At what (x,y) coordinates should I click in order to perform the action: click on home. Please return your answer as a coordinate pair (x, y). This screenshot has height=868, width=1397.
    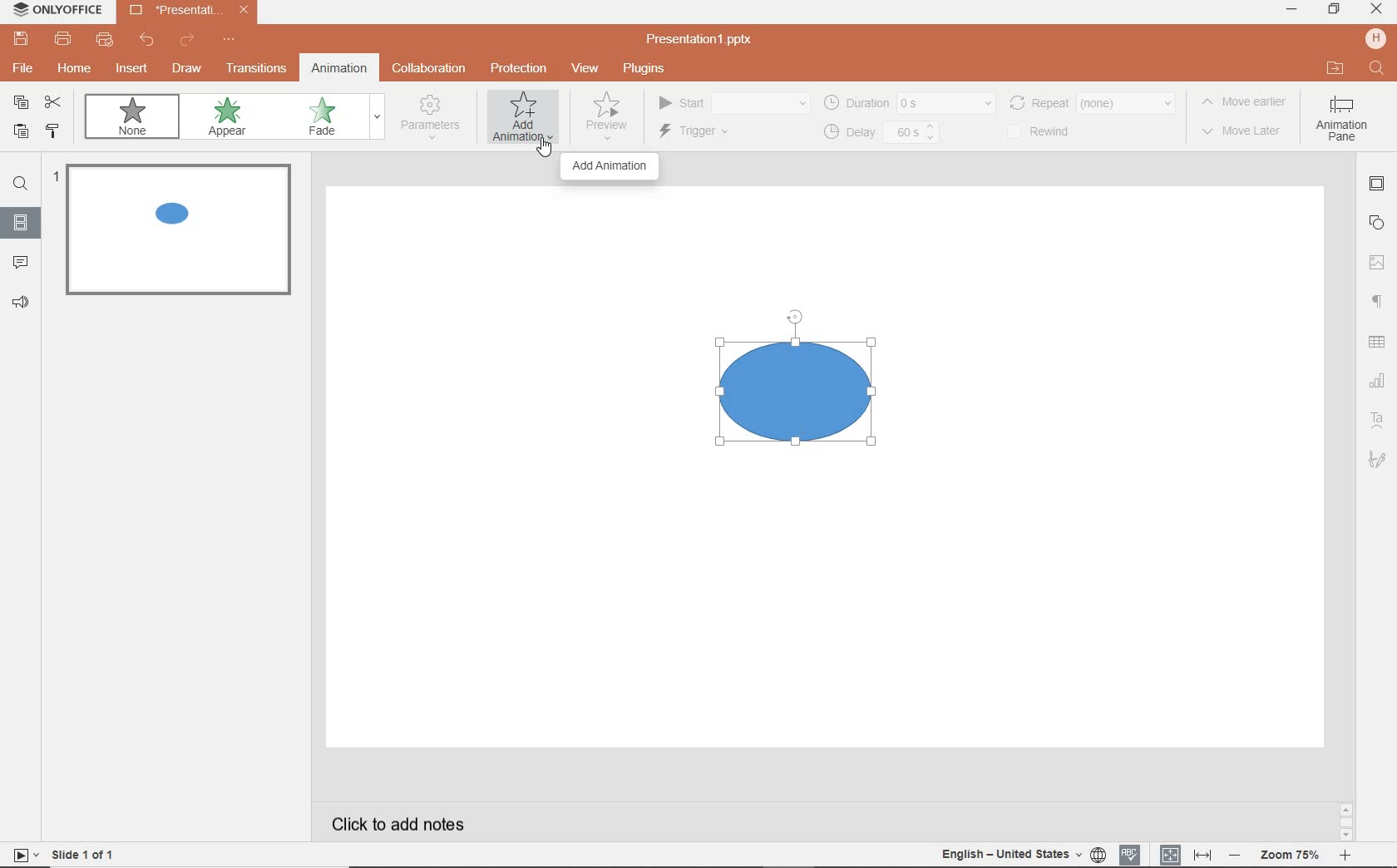
    Looking at the image, I should click on (76, 71).